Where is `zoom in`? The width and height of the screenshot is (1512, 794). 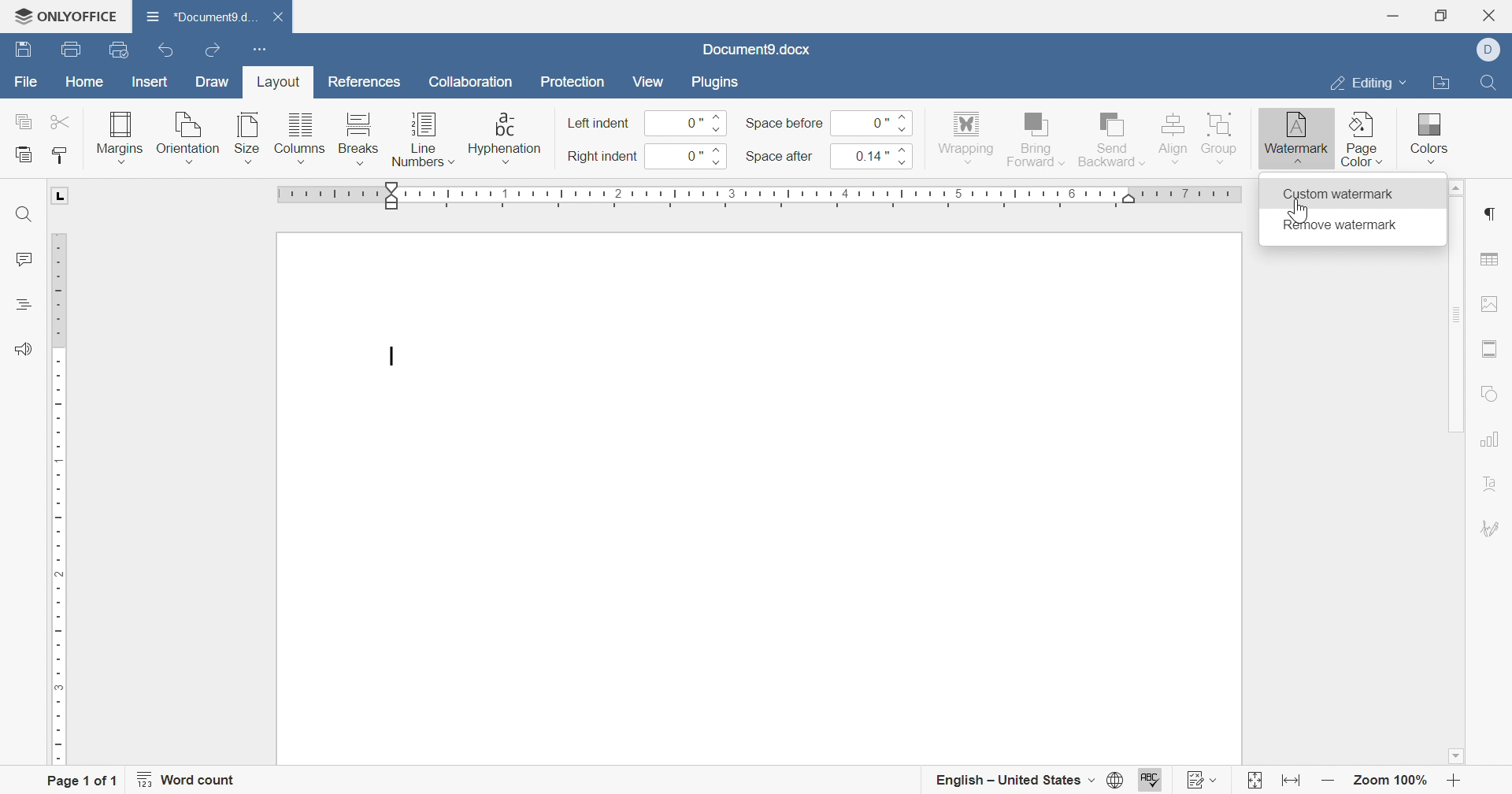 zoom in is located at coordinates (1454, 783).